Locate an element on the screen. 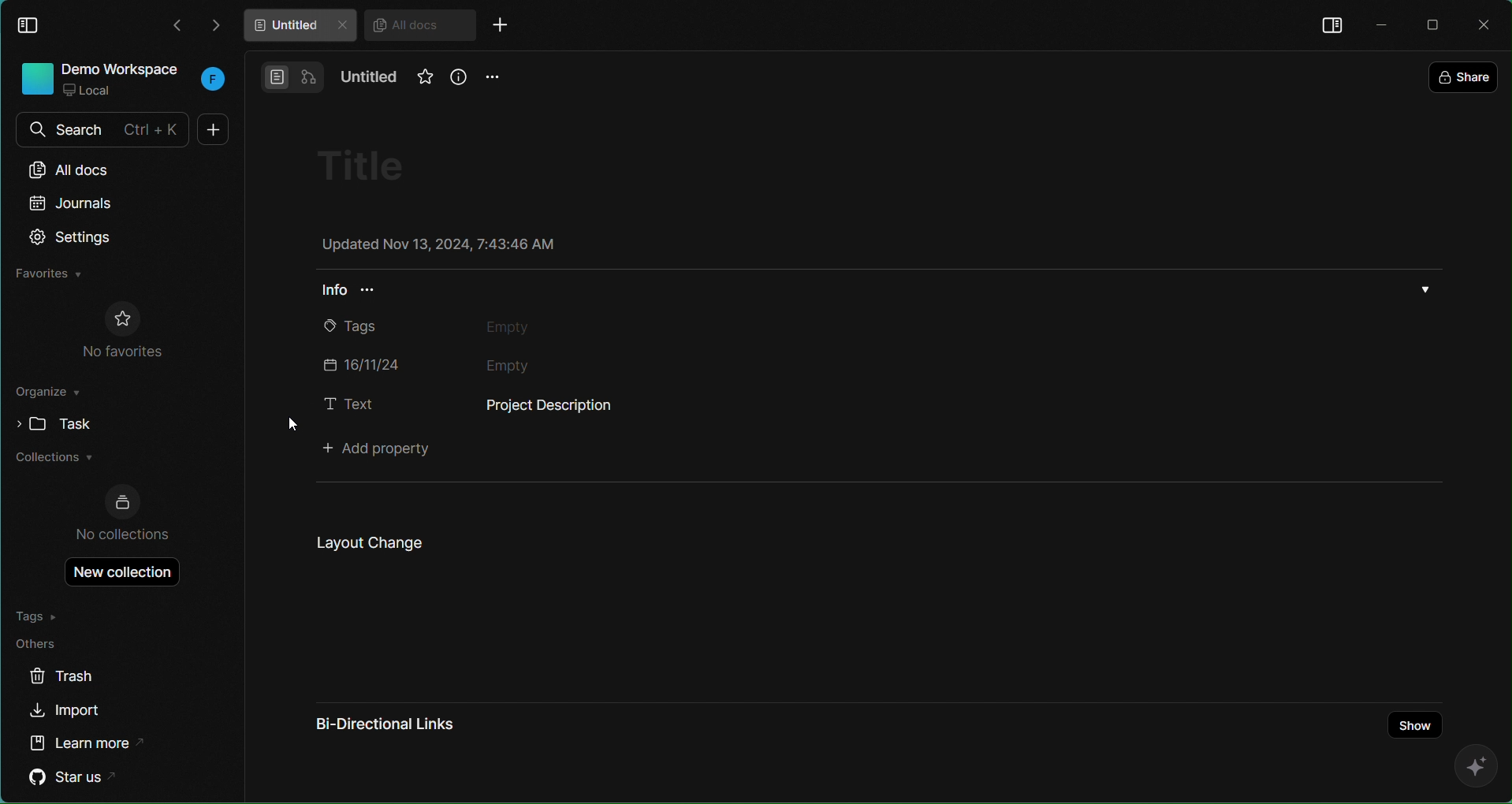 The width and height of the screenshot is (1512, 804). ) starus is located at coordinates (76, 777).